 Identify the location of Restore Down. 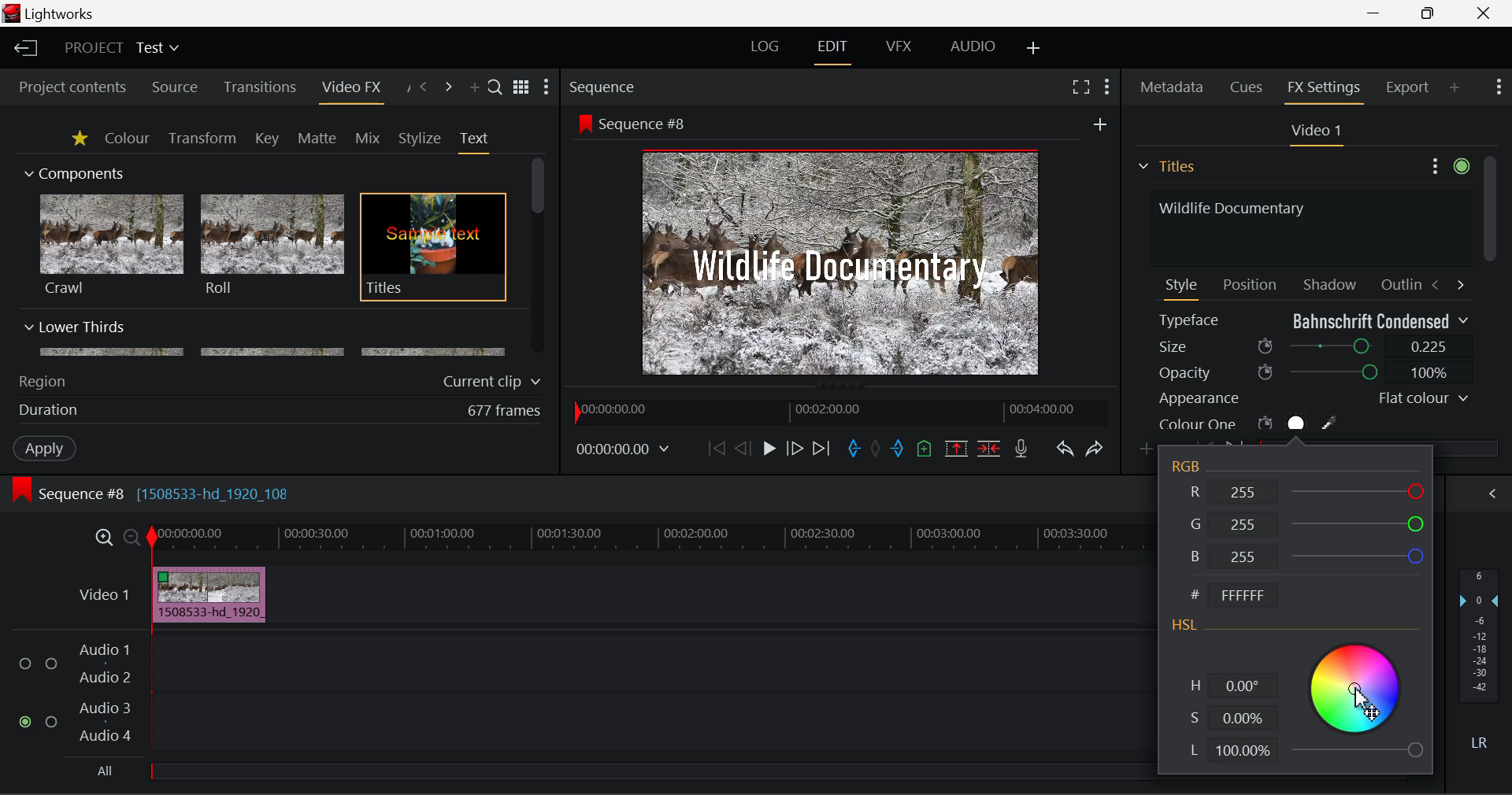
(1375, 11).